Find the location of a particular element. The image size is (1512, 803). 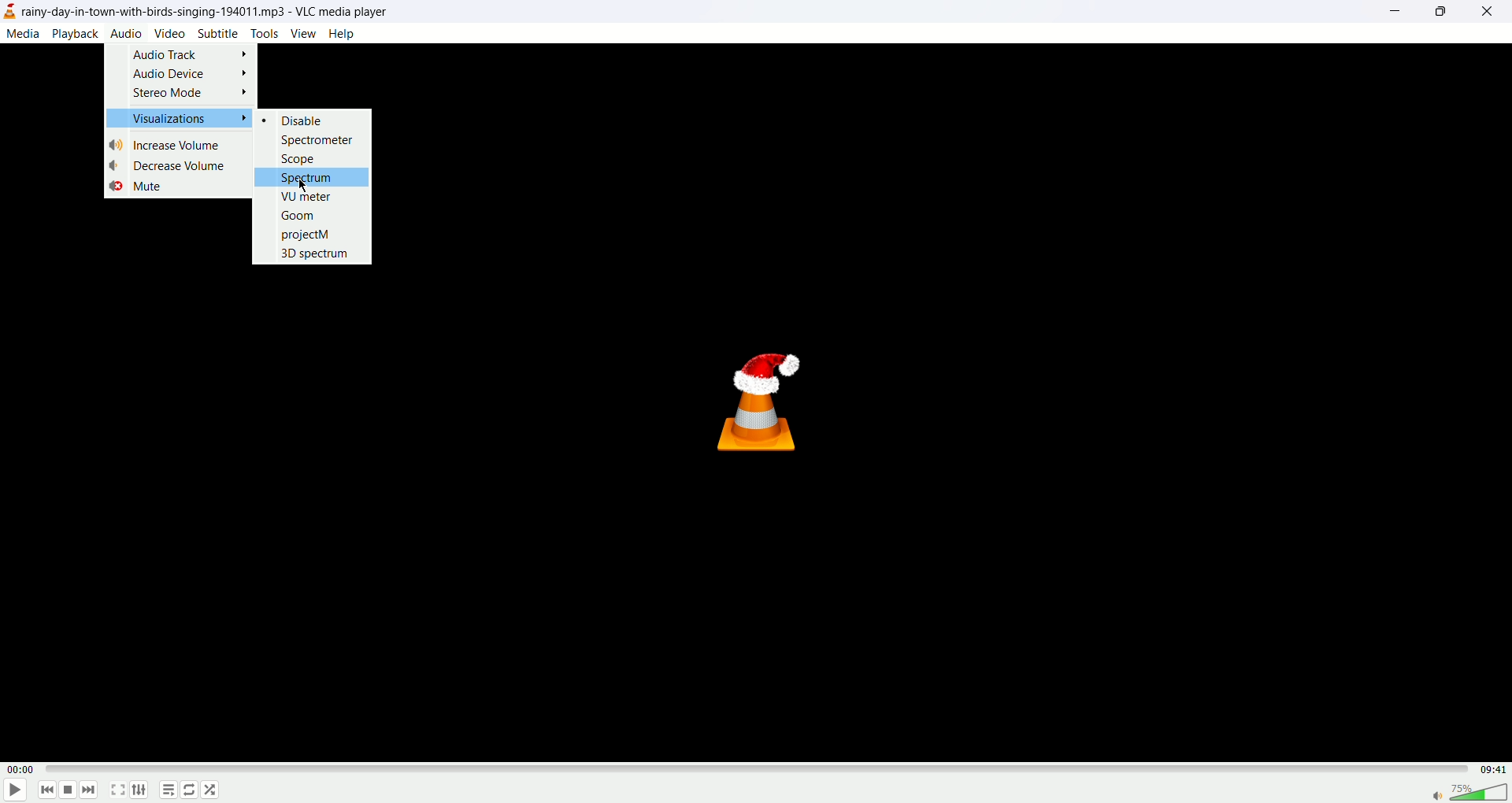

subtitle is located at coordinates (218, 35).